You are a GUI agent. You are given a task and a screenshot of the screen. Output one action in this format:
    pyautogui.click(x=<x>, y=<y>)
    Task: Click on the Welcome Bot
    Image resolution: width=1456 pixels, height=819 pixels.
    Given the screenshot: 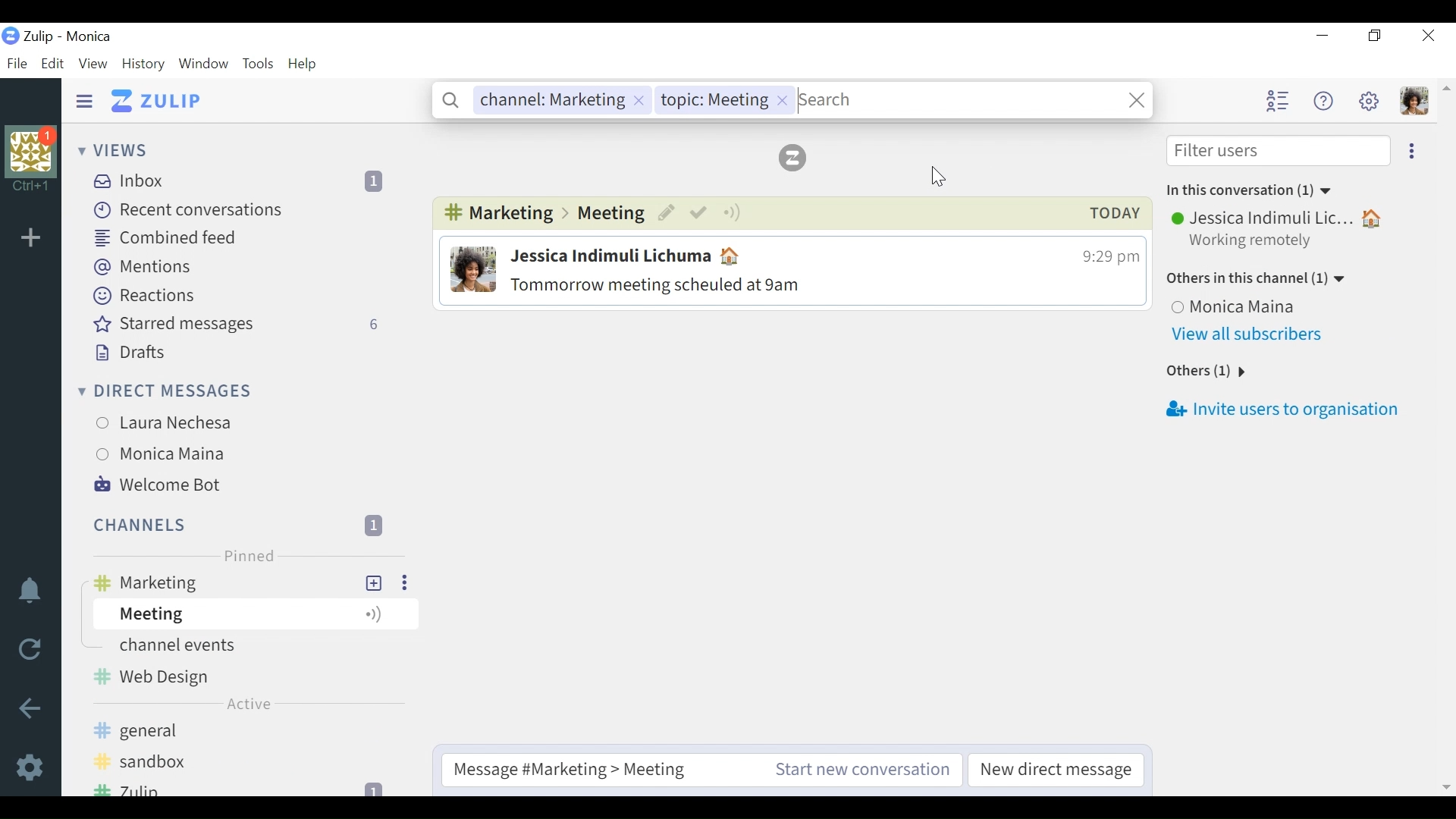 What is the action you would take?
    pyautogui.click(x=160, y=485)
    